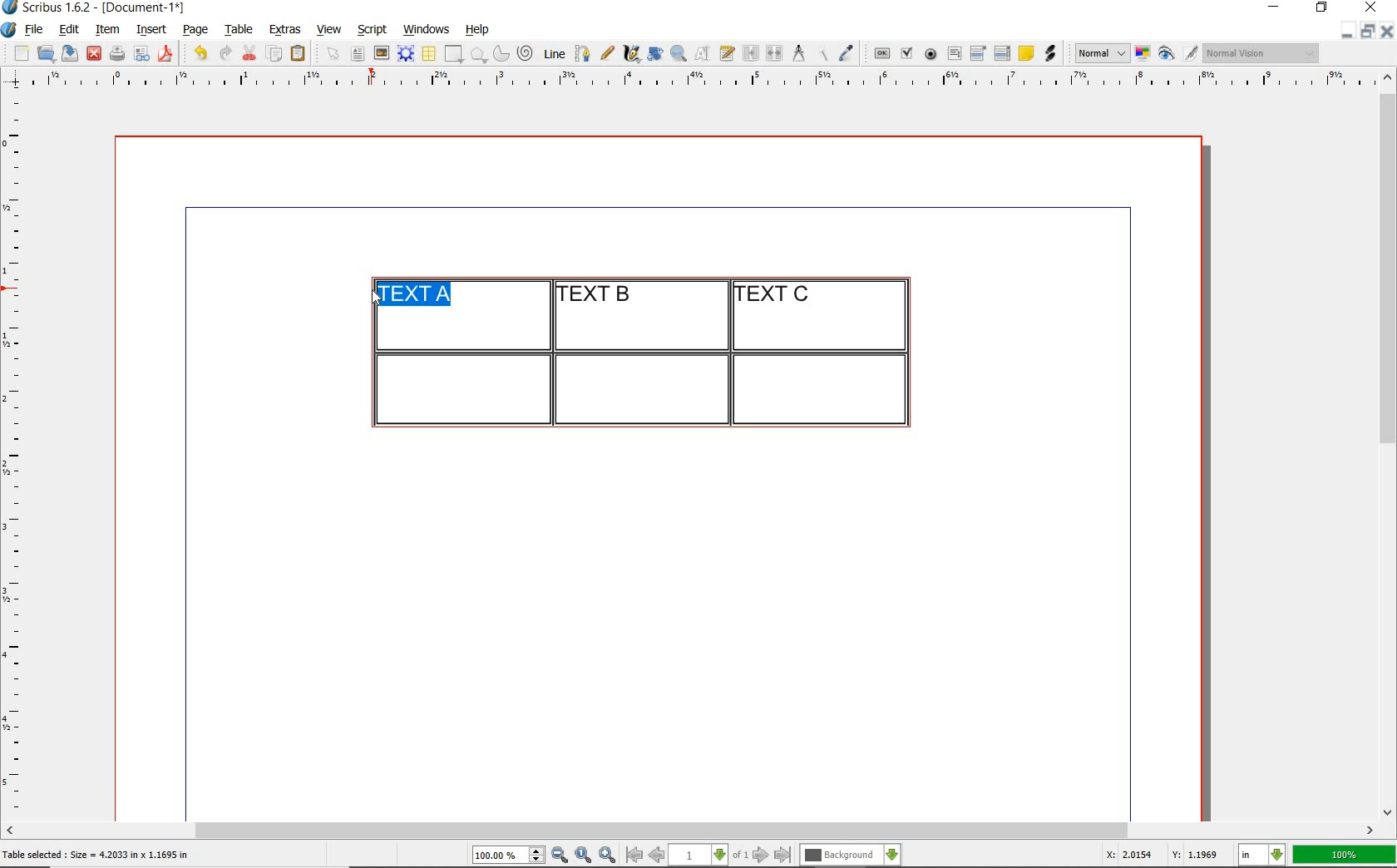 The height and width of the screenshot is (868, 1397). What do you see at coordinates (301, 54) in the screenshot?
I see `paste` at bounding box center [301, 54].